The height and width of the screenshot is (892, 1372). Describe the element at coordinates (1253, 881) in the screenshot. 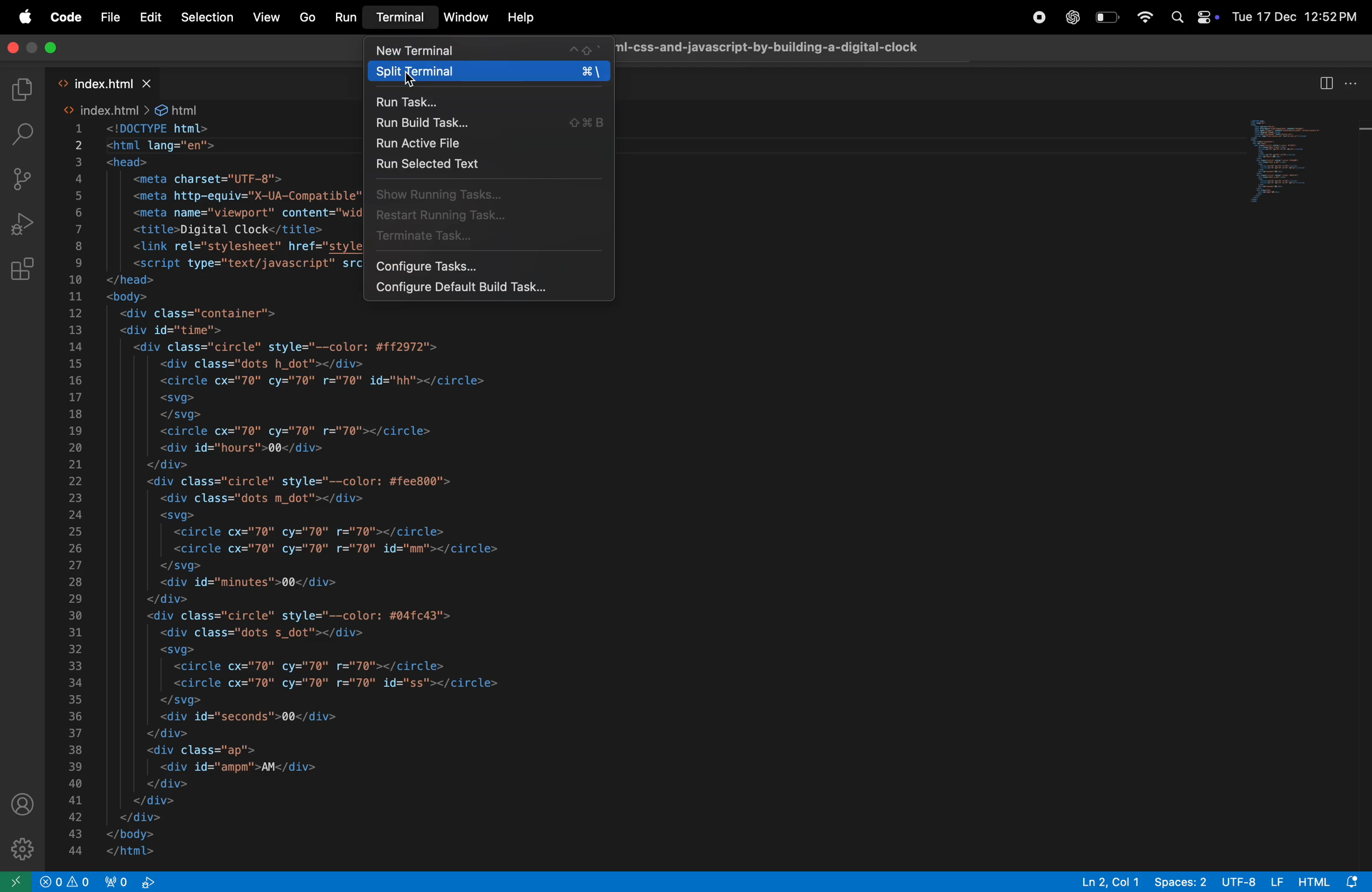

I see `UTF 8 LF` at that location.